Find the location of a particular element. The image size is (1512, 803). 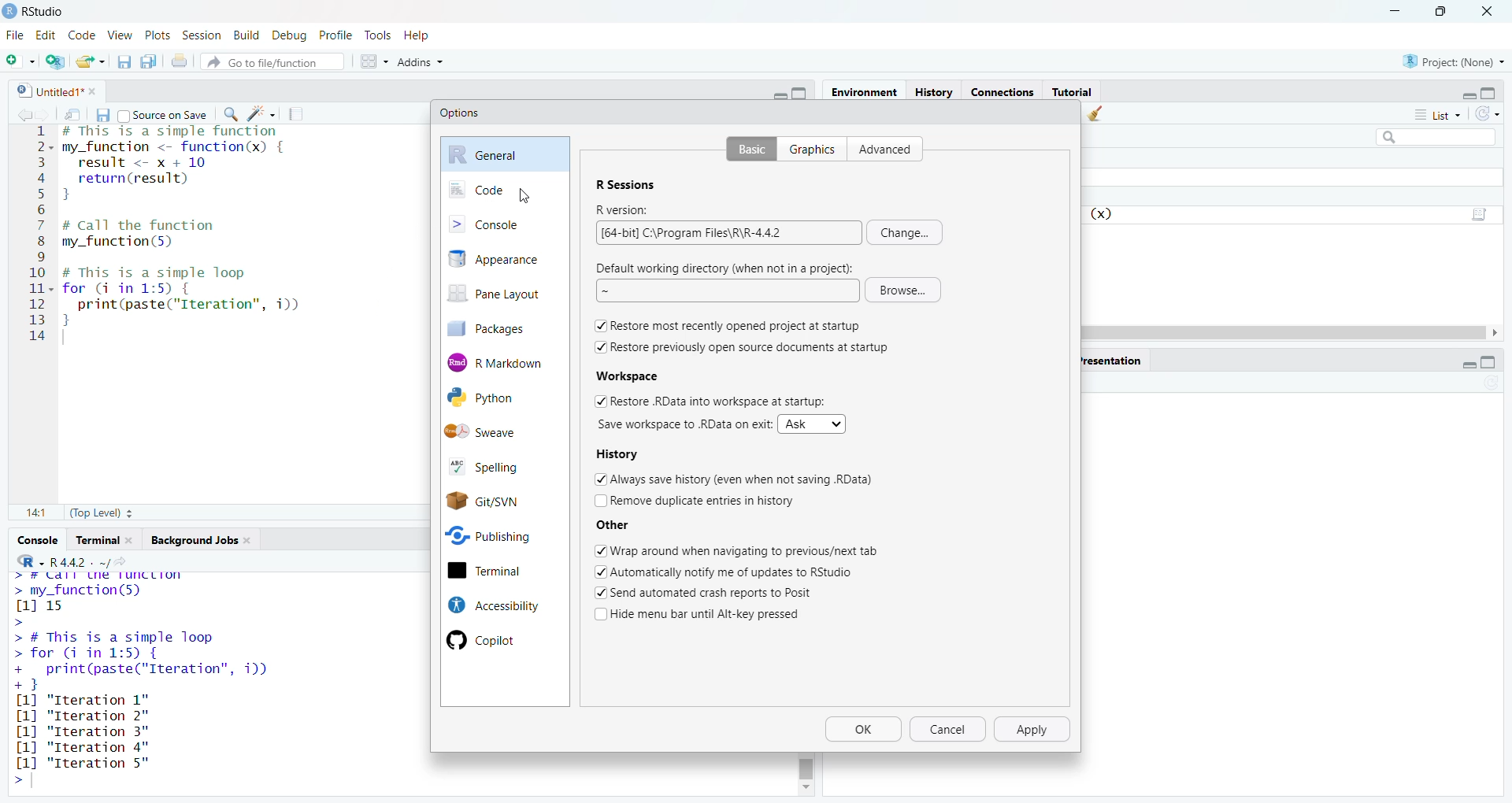

tools is located at coordinates (380, 35).